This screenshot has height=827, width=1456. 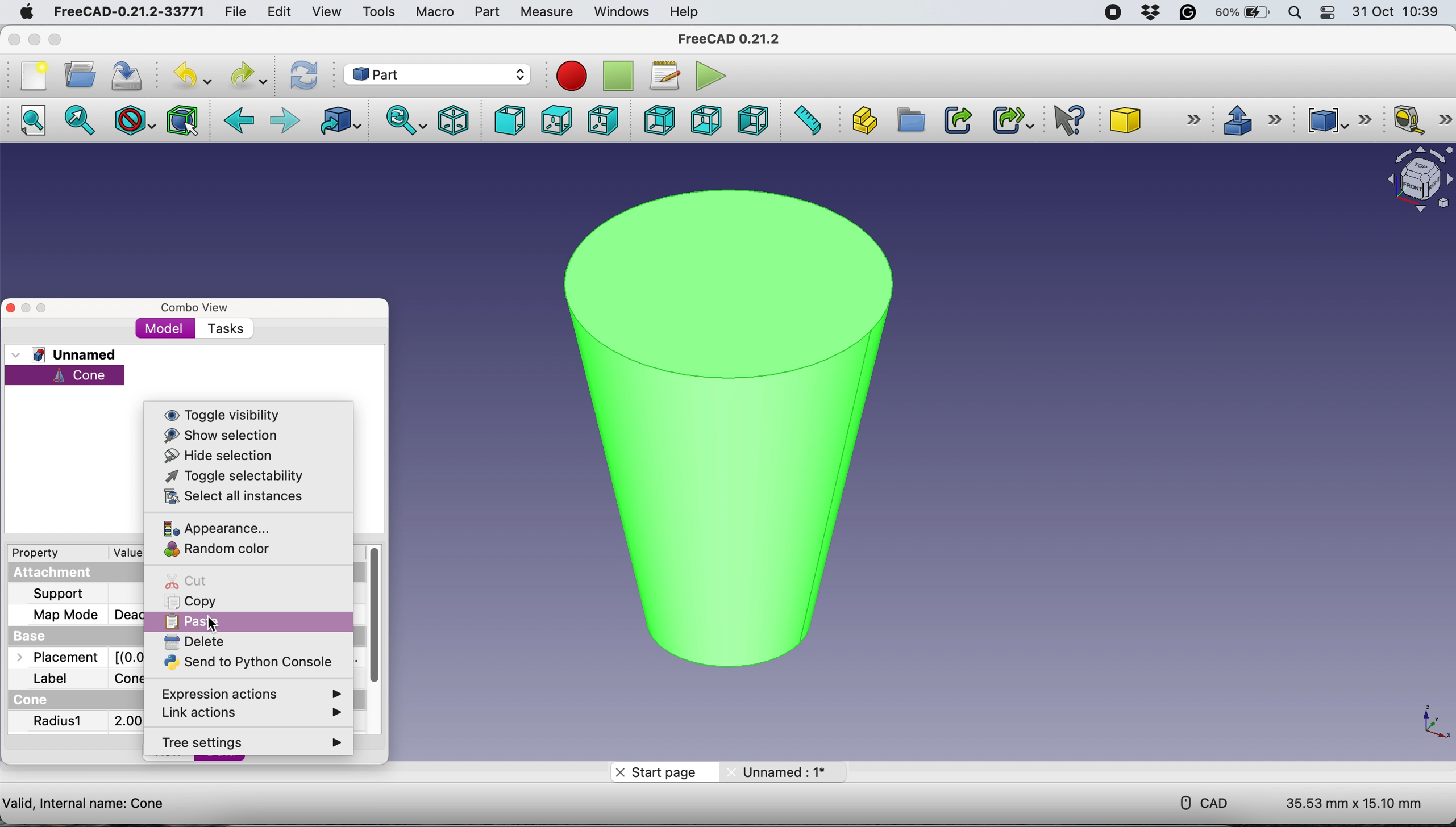 I want to click on left, so click(x=755, y=120).